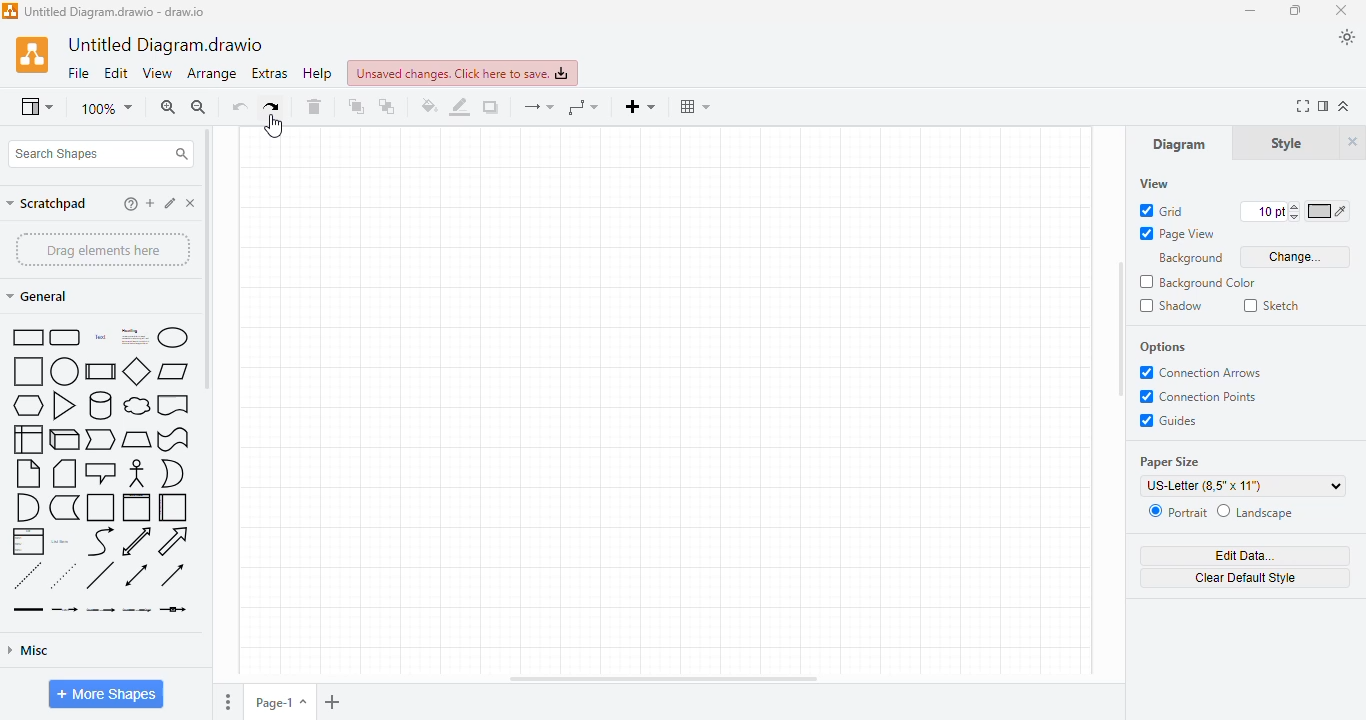 The height and width of the screenshot is (720, 1366). I want to click on search shapes, so click(98, 154).